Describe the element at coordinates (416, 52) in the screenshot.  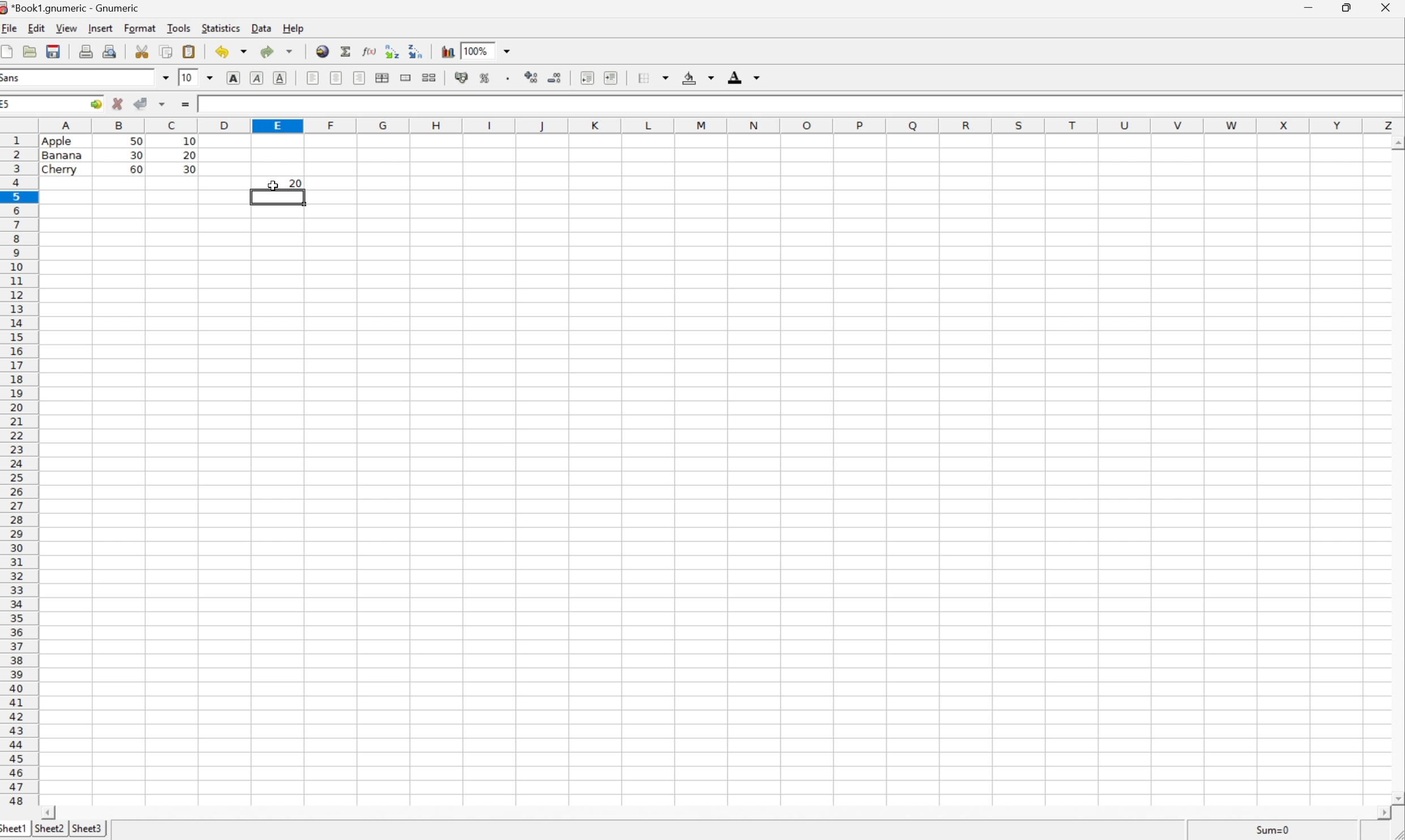
I see `Sort the selected region in descending order based on the first column selected` at that location.